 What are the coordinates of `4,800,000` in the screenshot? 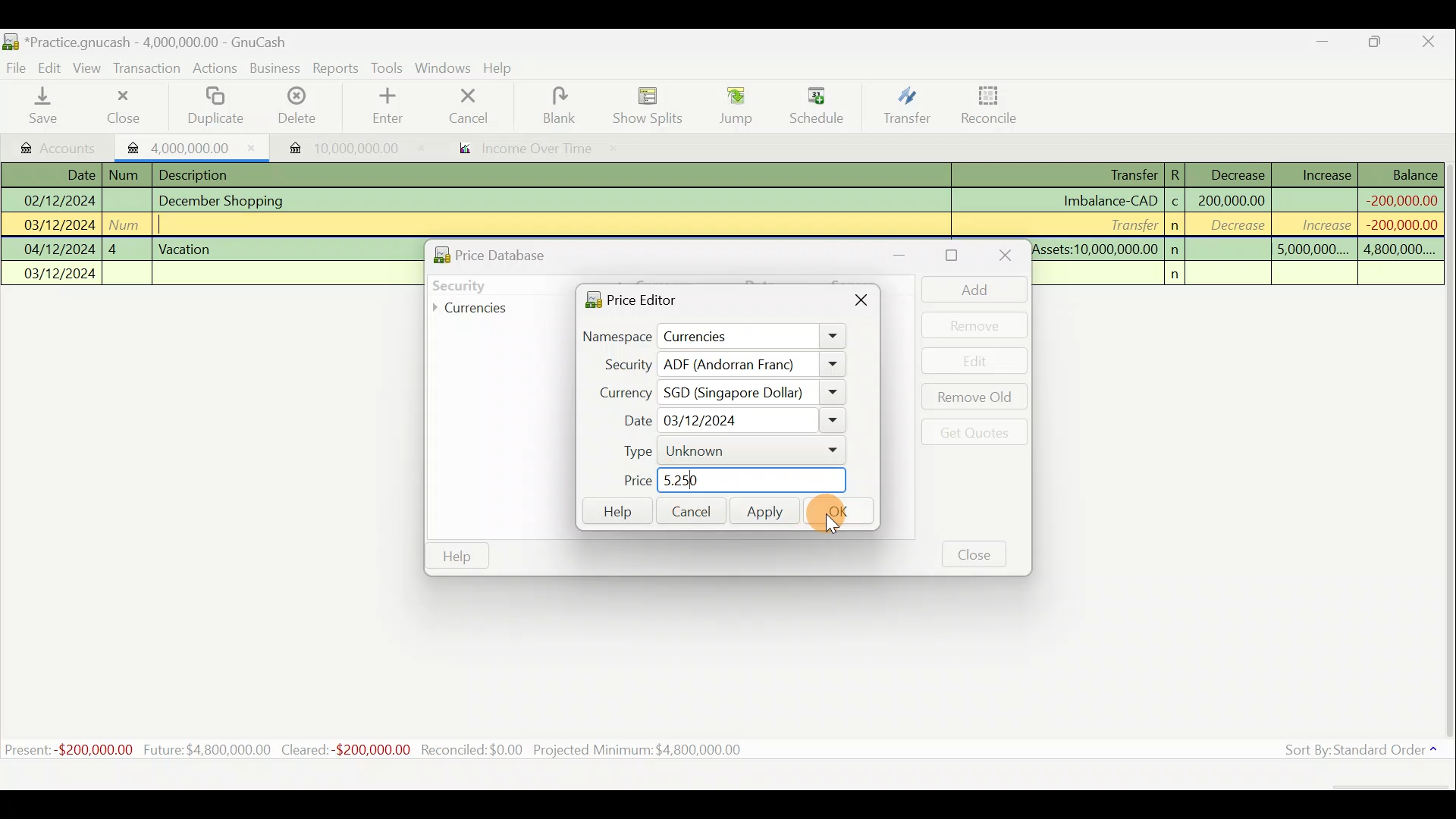 It's located at (1398, 250).